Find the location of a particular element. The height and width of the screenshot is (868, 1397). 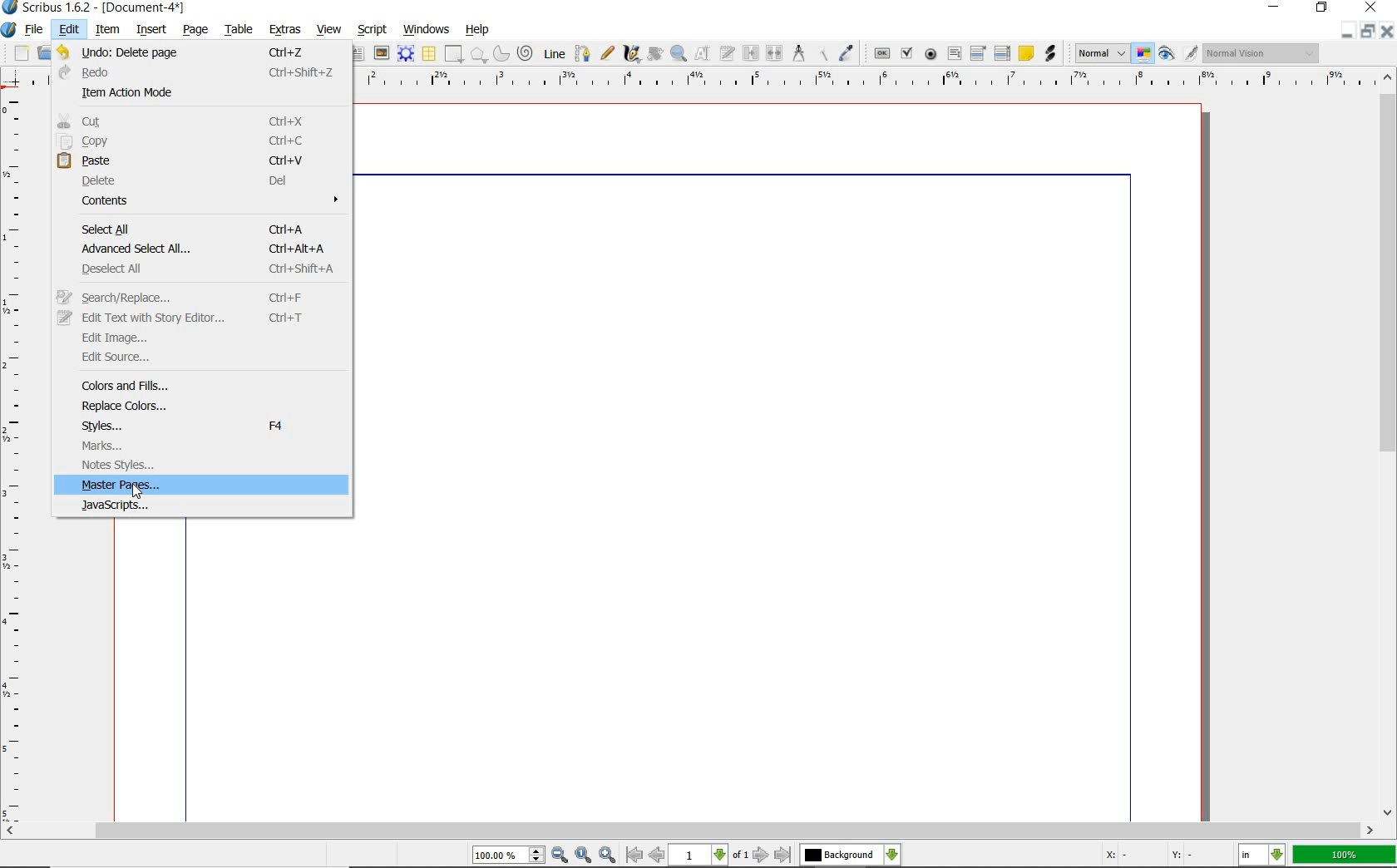

100.00% is located at coordinates (510, 856).